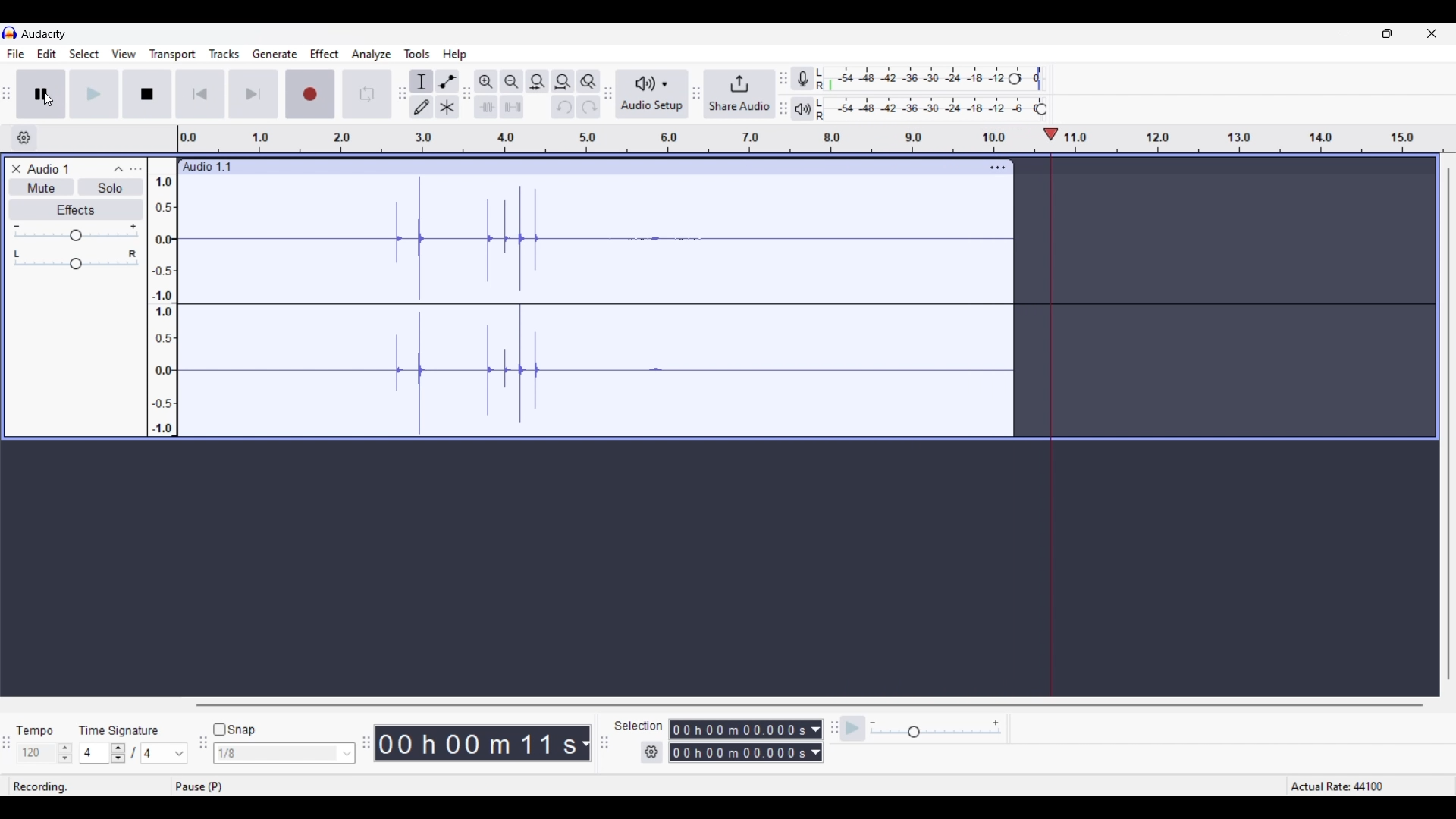  What do you see at coordinates (588, 81) in the screenshot?
I see `Zoom toggle` at bounding box center [588, 81].